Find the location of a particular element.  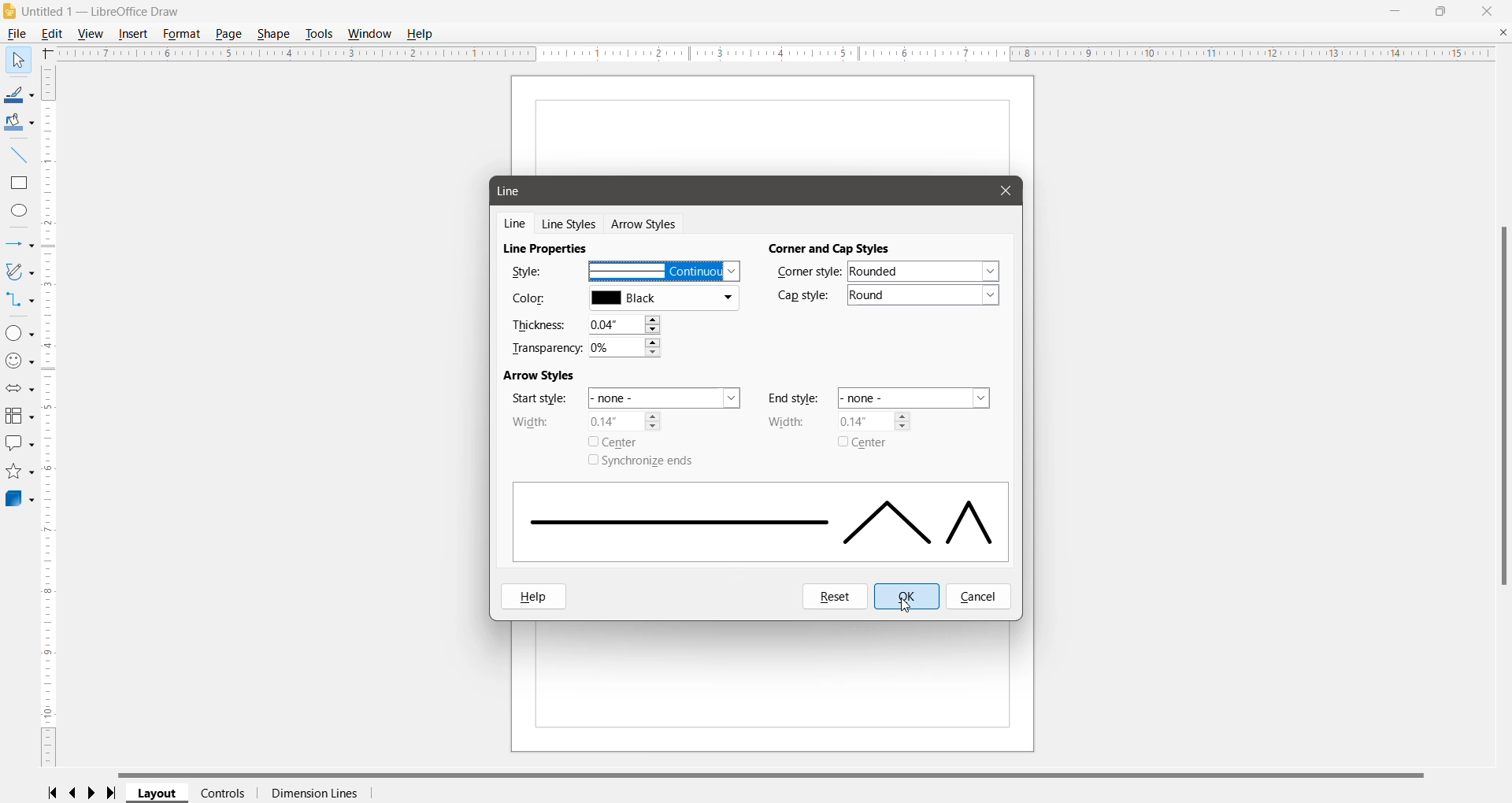

Line Properties is located at coordinates (549, 248).